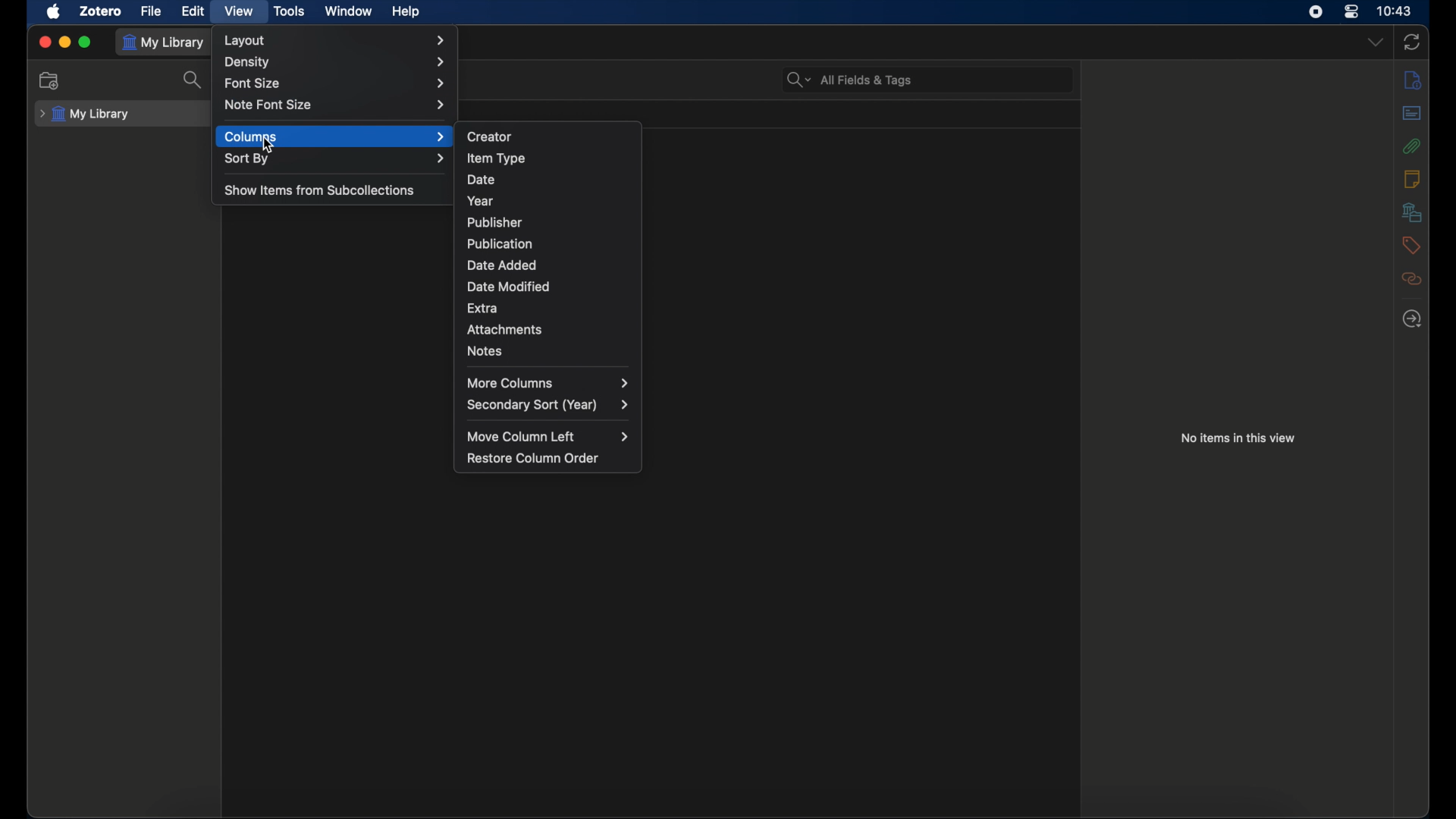  What do you see at coordinates (153, 11) in the screenshot?
I see `file` at bounding box center [153, 11].